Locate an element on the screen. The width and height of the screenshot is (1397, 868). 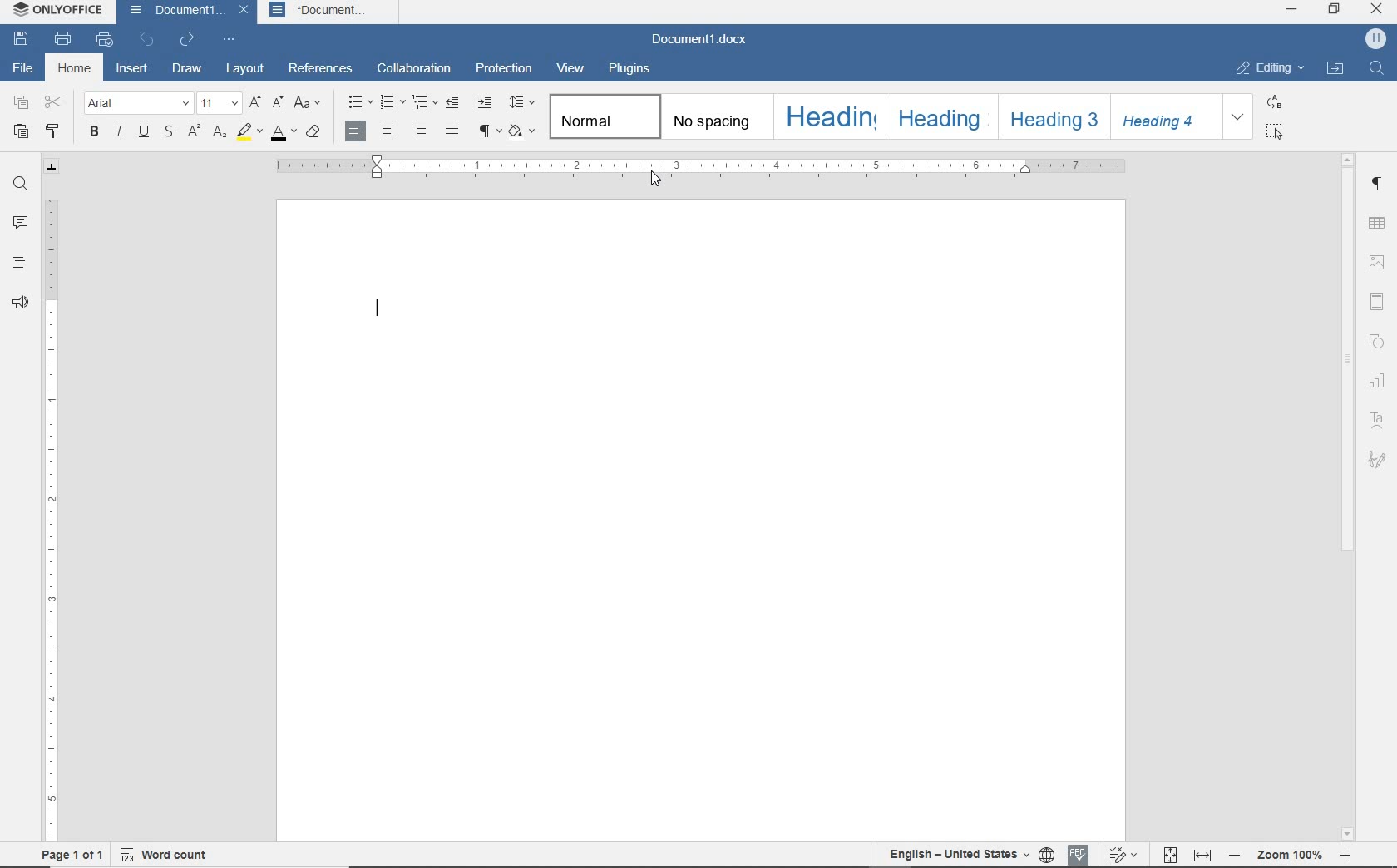
SUPERSCRIPT is located at coordinates (193, 132).